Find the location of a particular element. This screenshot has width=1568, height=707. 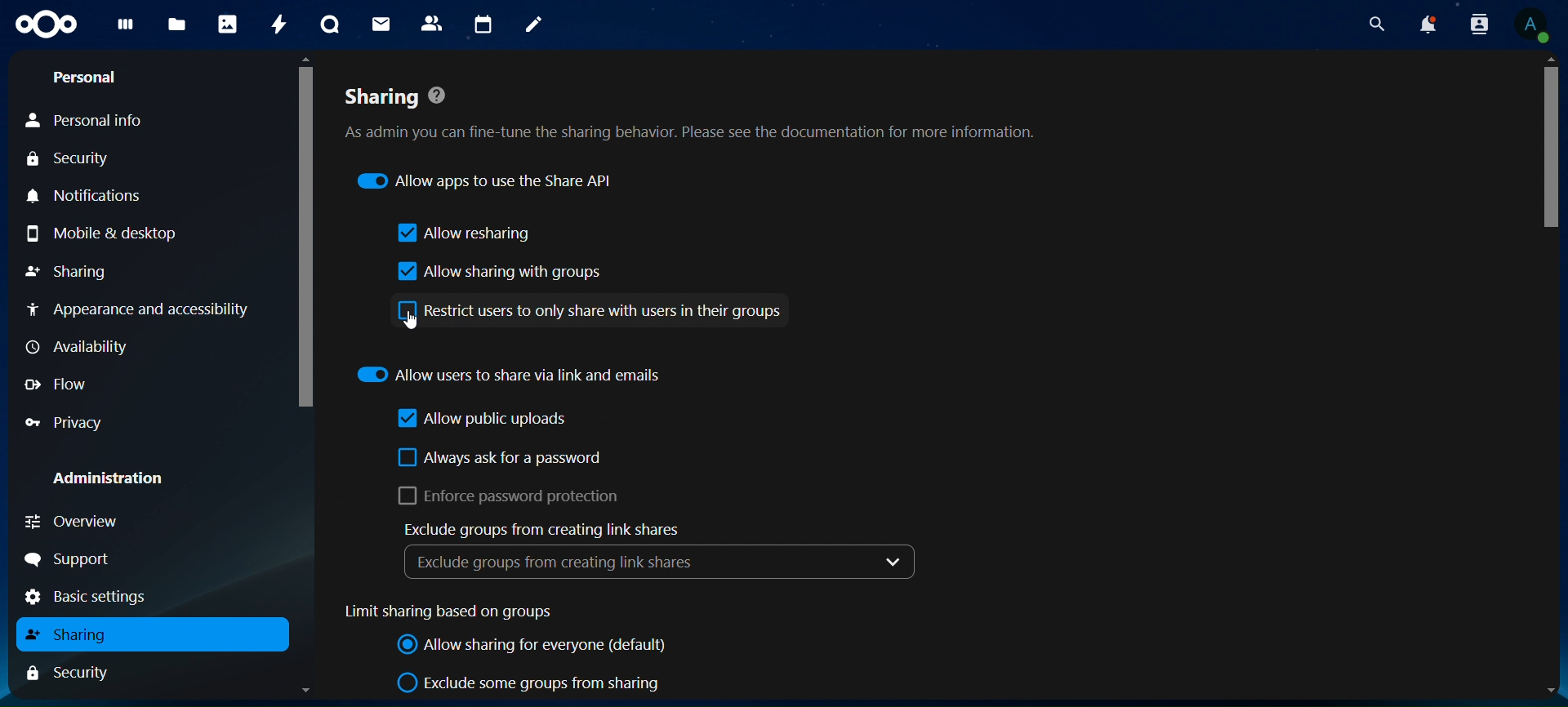

availiability is located at coordinates (78, 346).